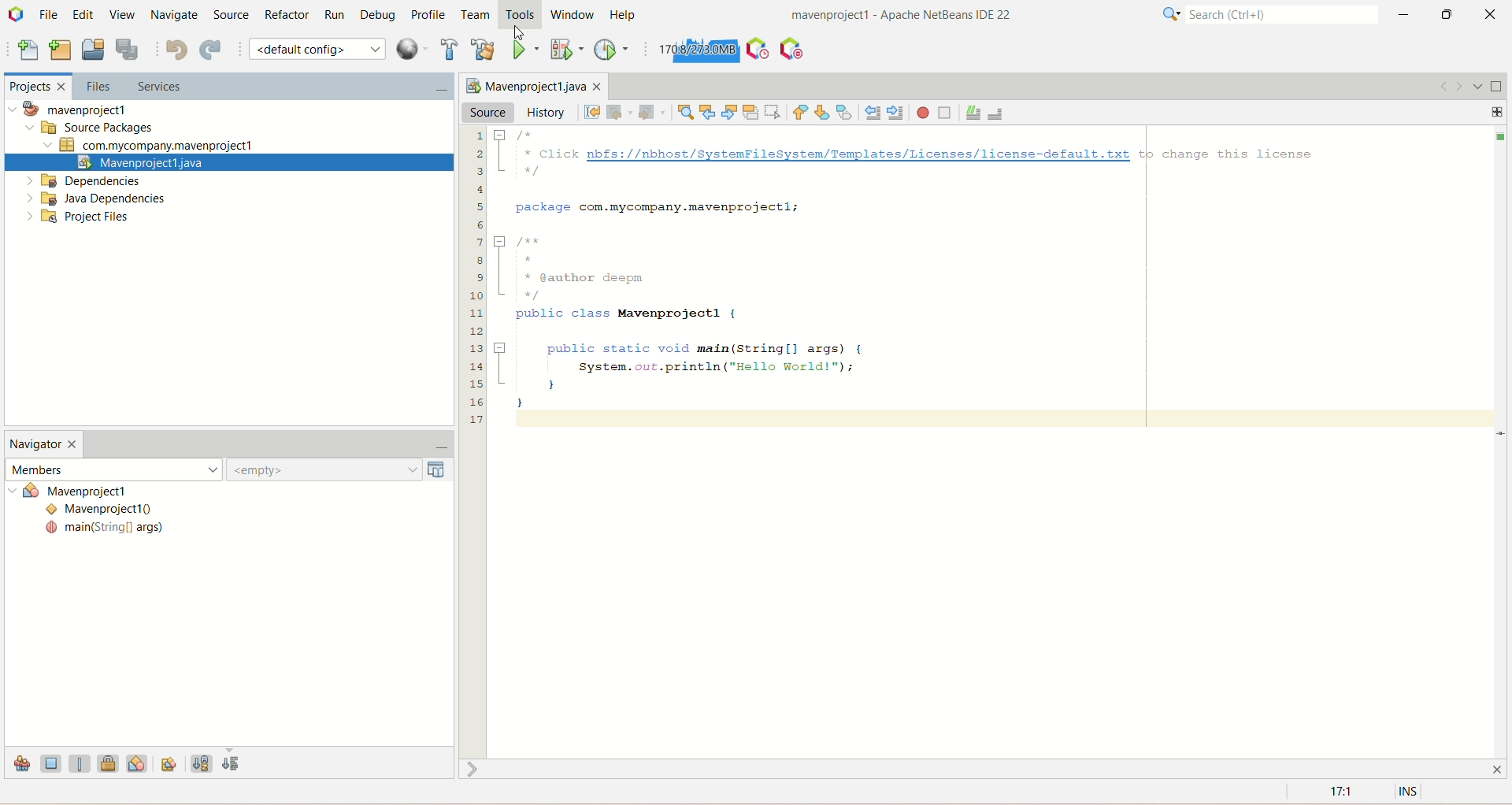 Image resolution: width=1512 pixels, height=805 pixels. I want to click on projects, so click(35, 88).